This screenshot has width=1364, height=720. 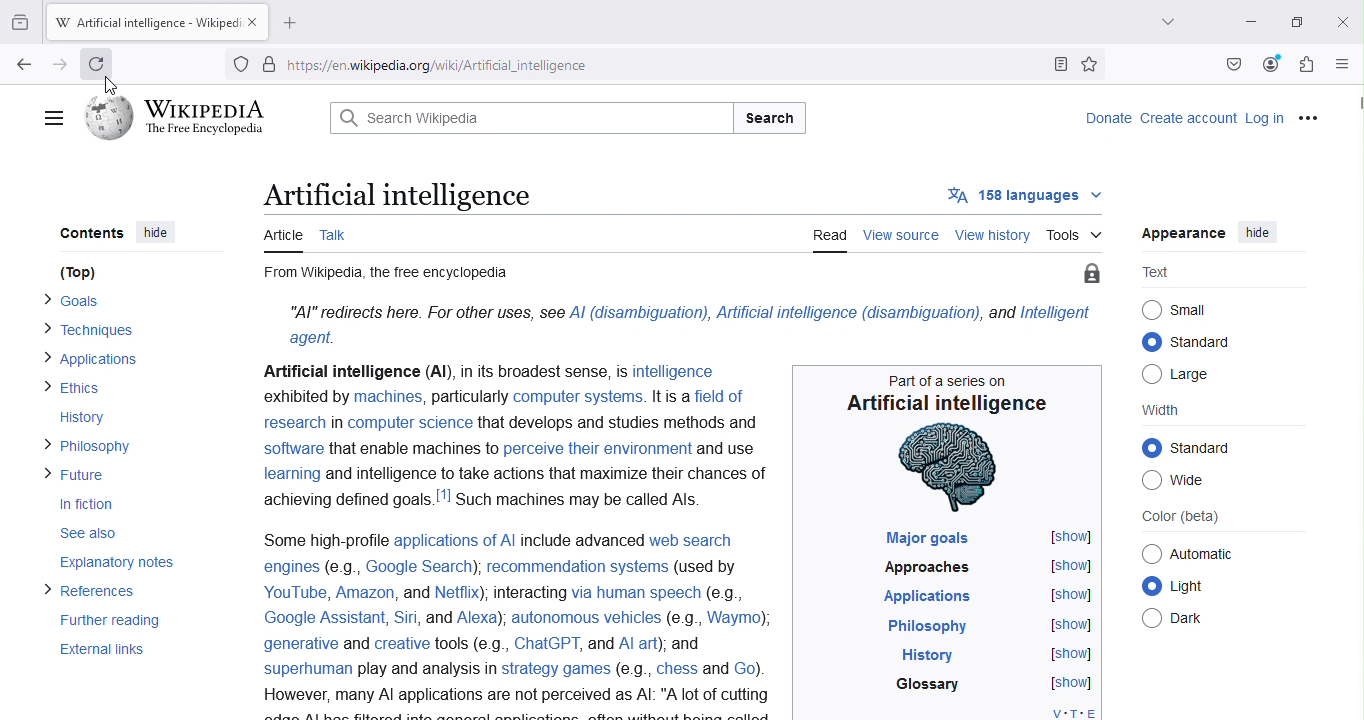 What do you see at coordinates (1068, 684) in the screenshot?
I see `[show]` at bounding box center [1068, 684].